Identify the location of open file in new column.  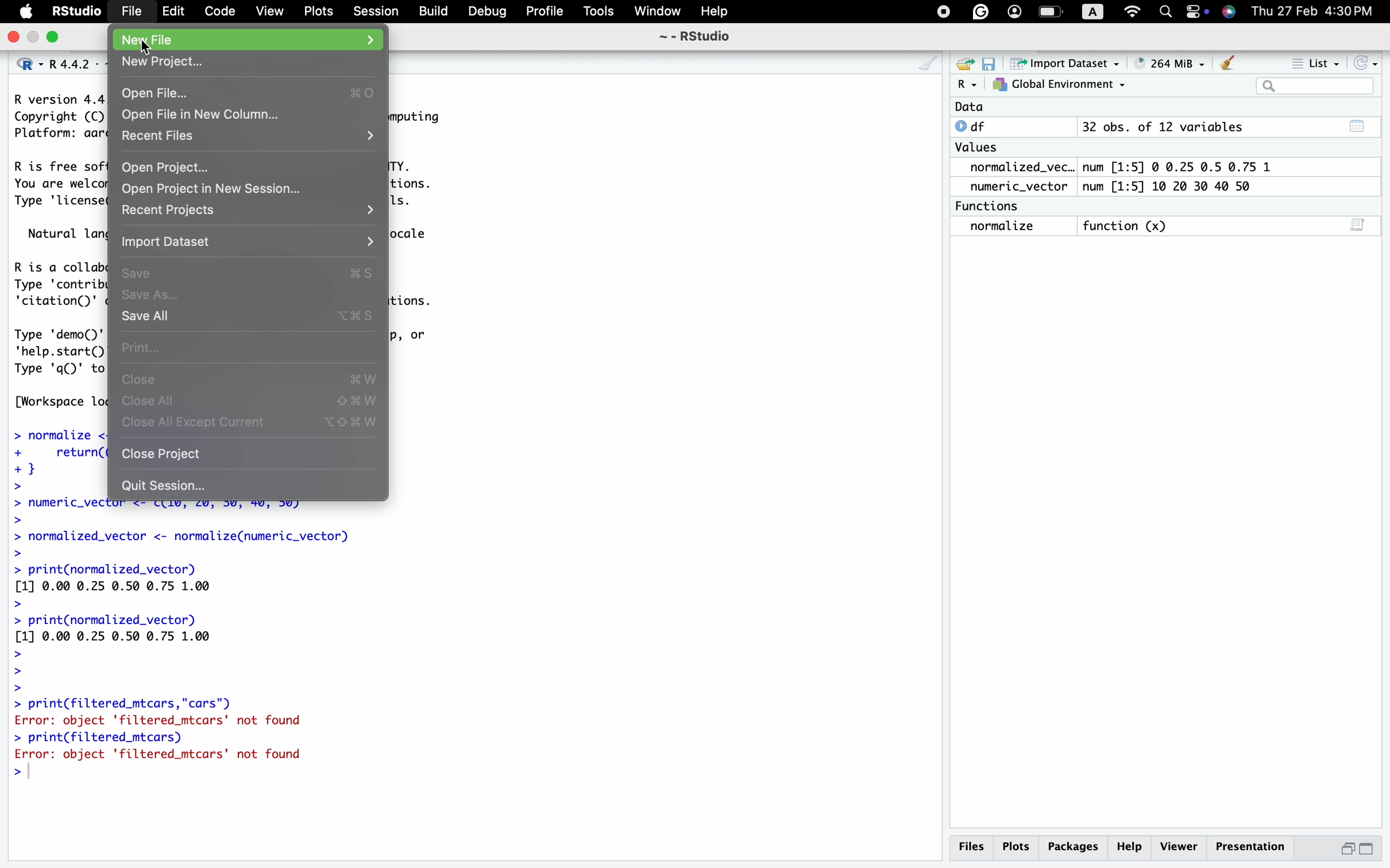
(252, 115).